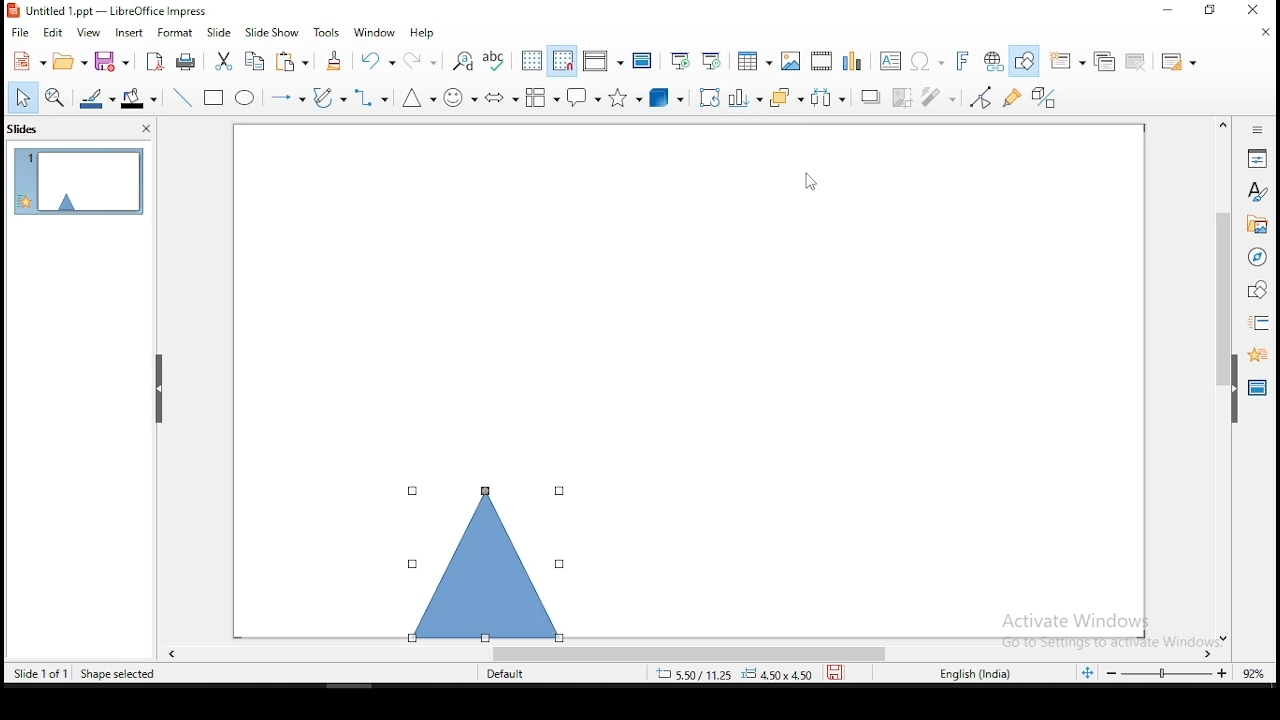 The width and height of the screenshot is (1280, 720). I want to click on mouse pointer, so click(811, 182).